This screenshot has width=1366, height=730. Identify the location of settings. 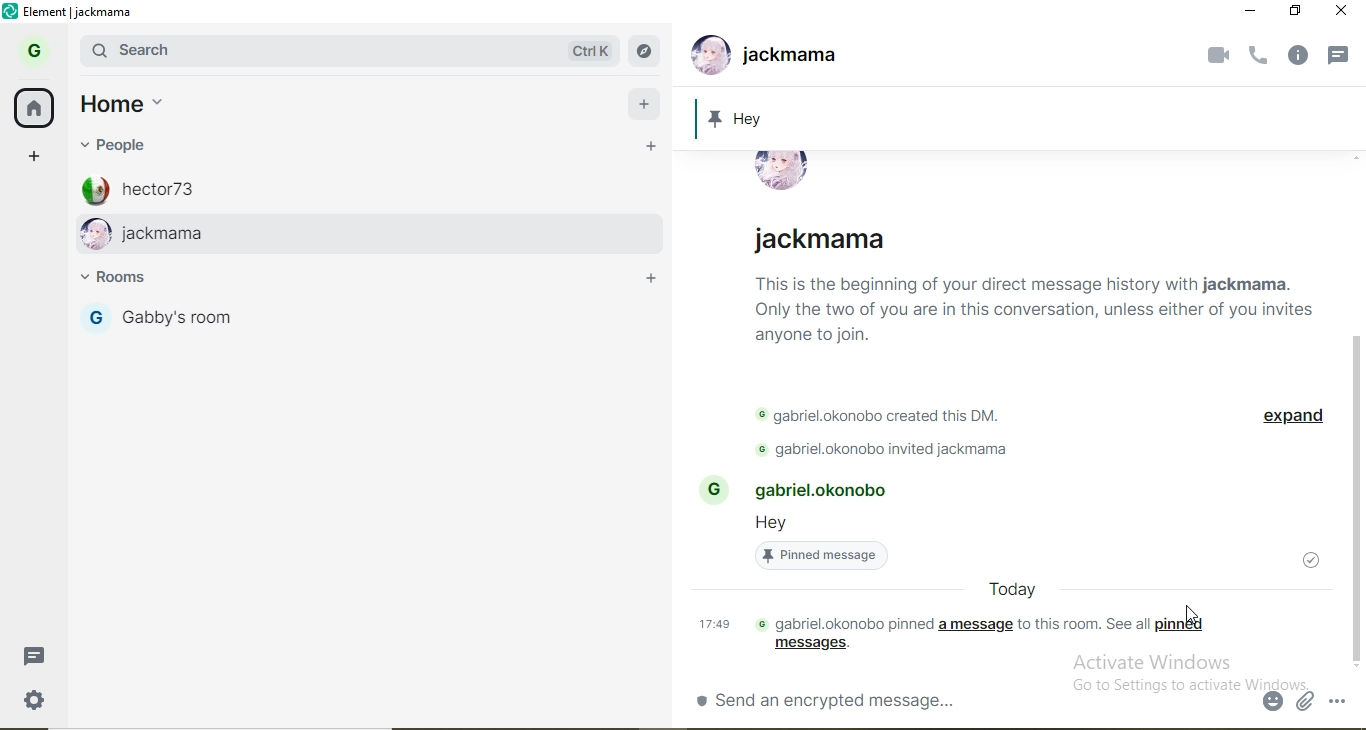
(31, 698).